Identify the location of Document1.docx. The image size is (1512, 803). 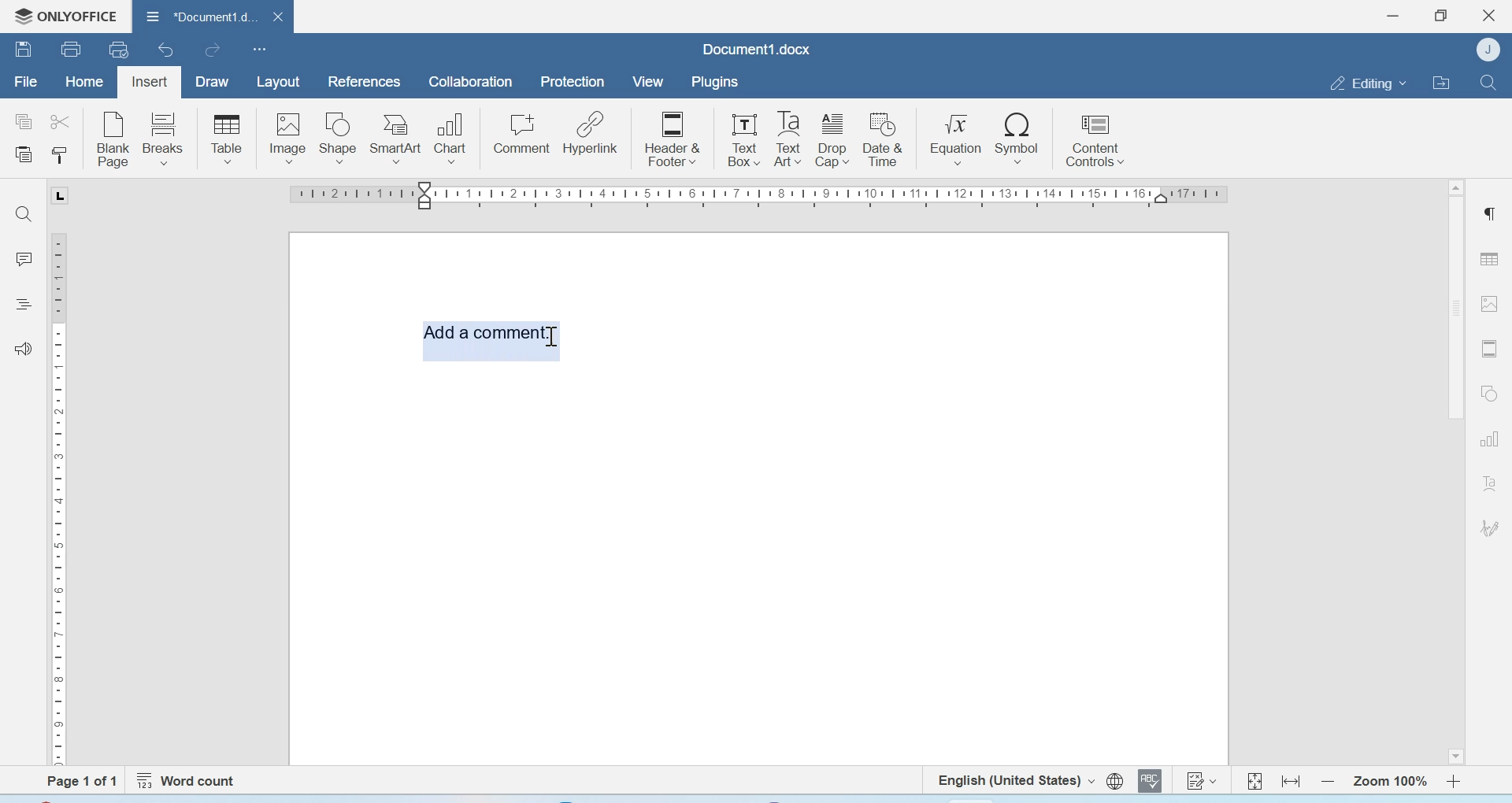
(199, 14).